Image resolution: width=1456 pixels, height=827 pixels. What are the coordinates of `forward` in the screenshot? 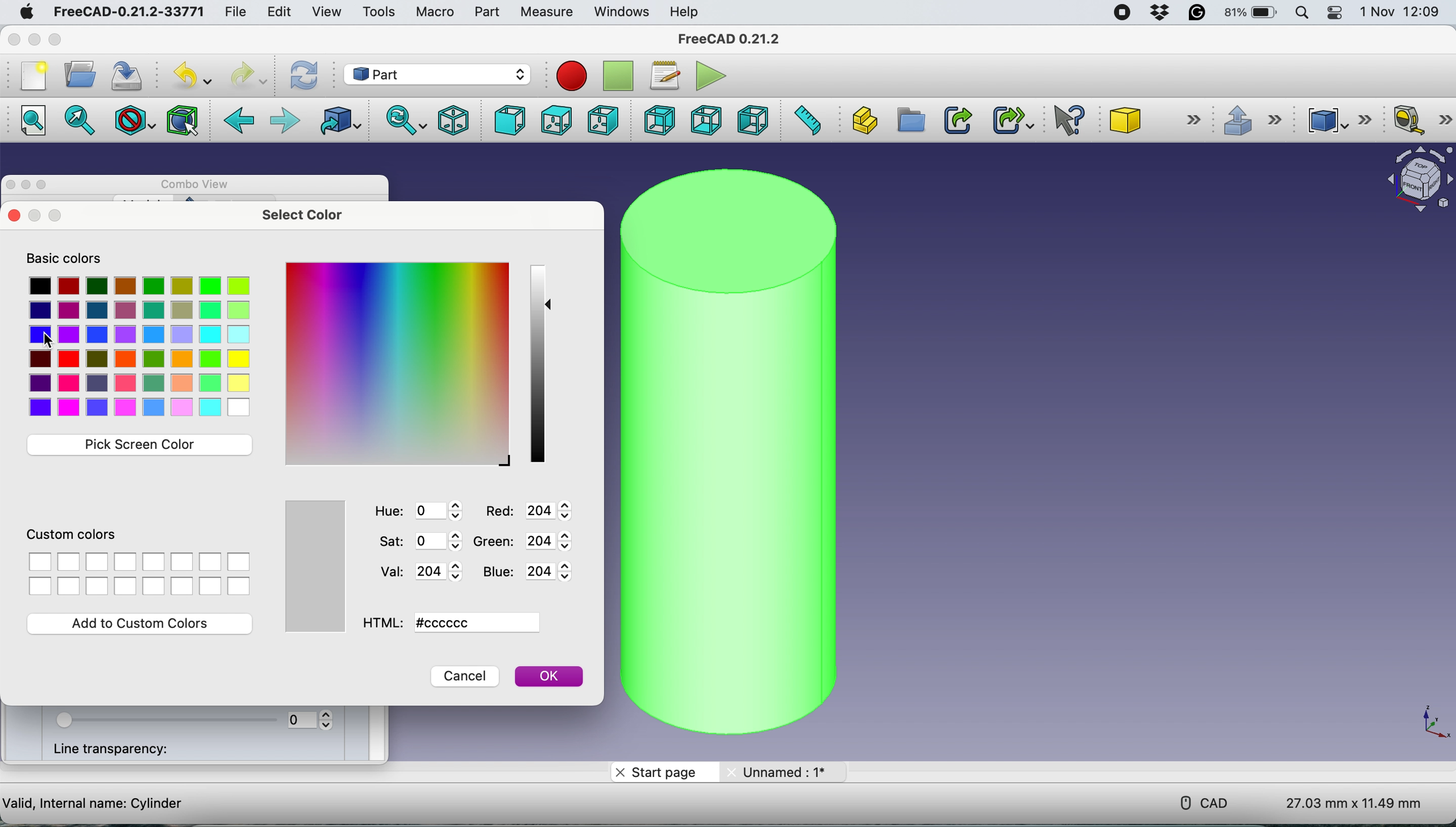 It's located at (282, 119).